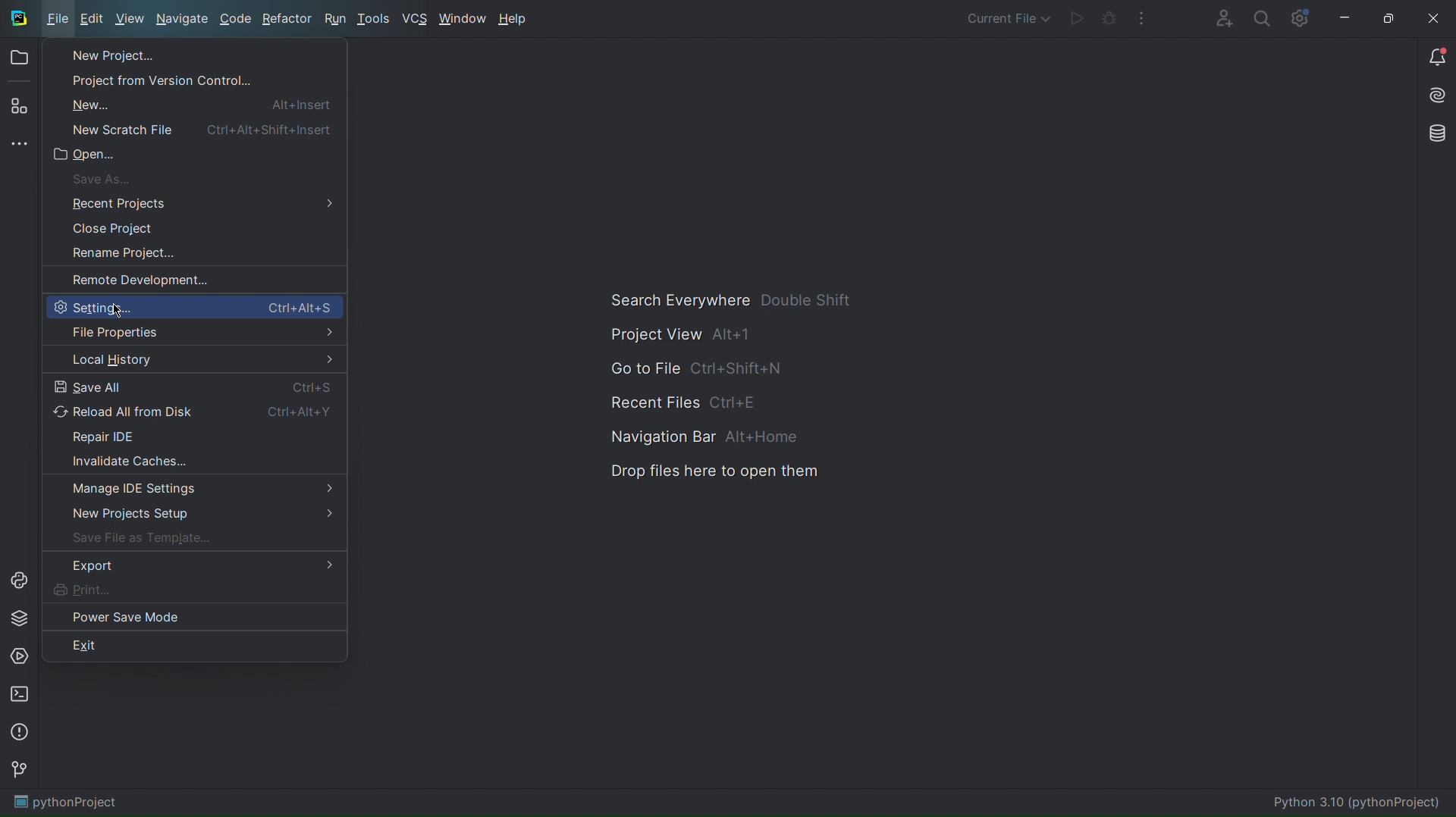 This screenshot has height=817, width=1456. What do you see at coordinates (85, 153) in the screenshot?
I see `Open` at bounding box center [85, 153].